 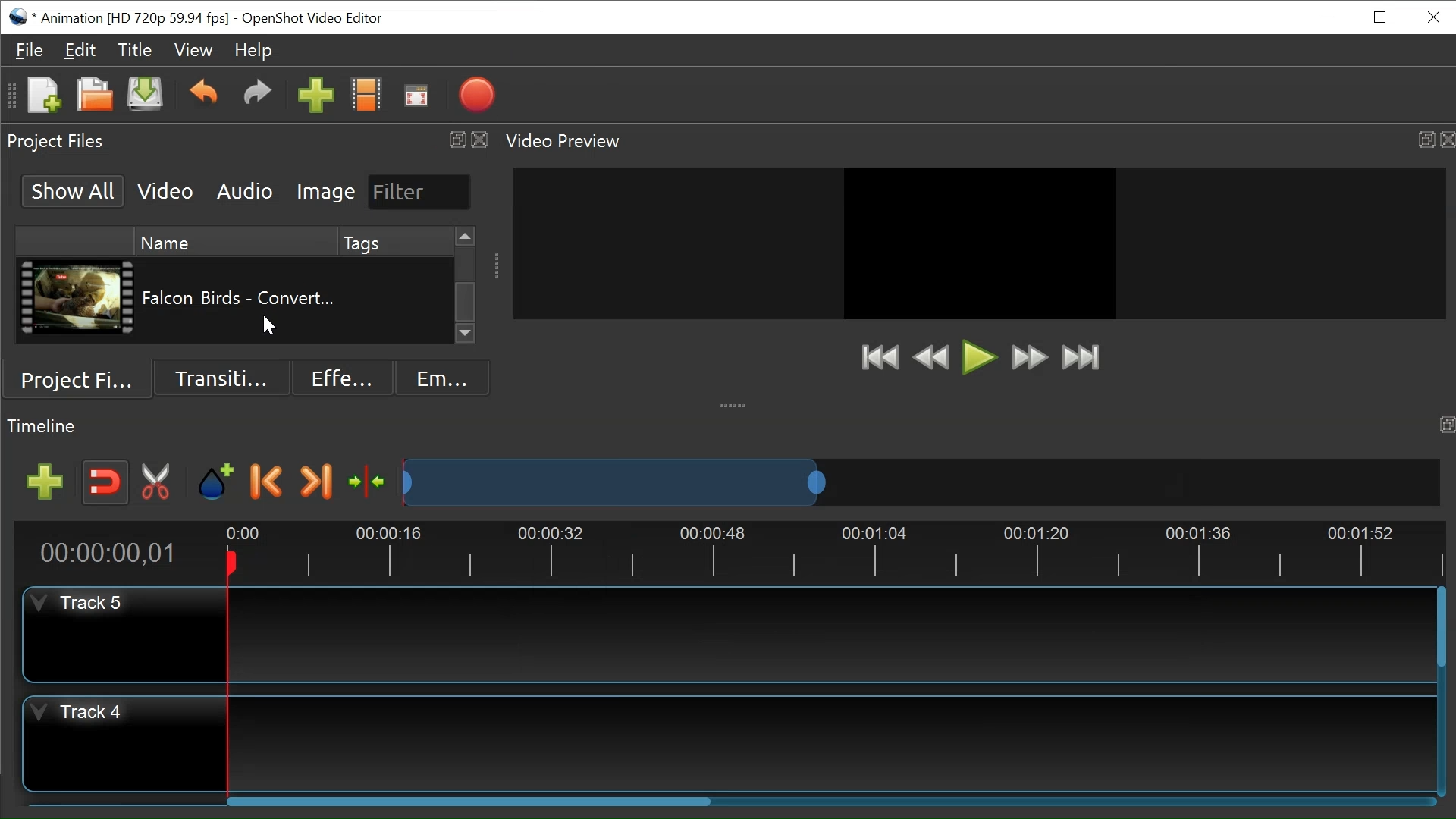 What do you see at coordinates (980, 243) in the screenshot?
I see `Preview Window` at bounding box center [980, 243].